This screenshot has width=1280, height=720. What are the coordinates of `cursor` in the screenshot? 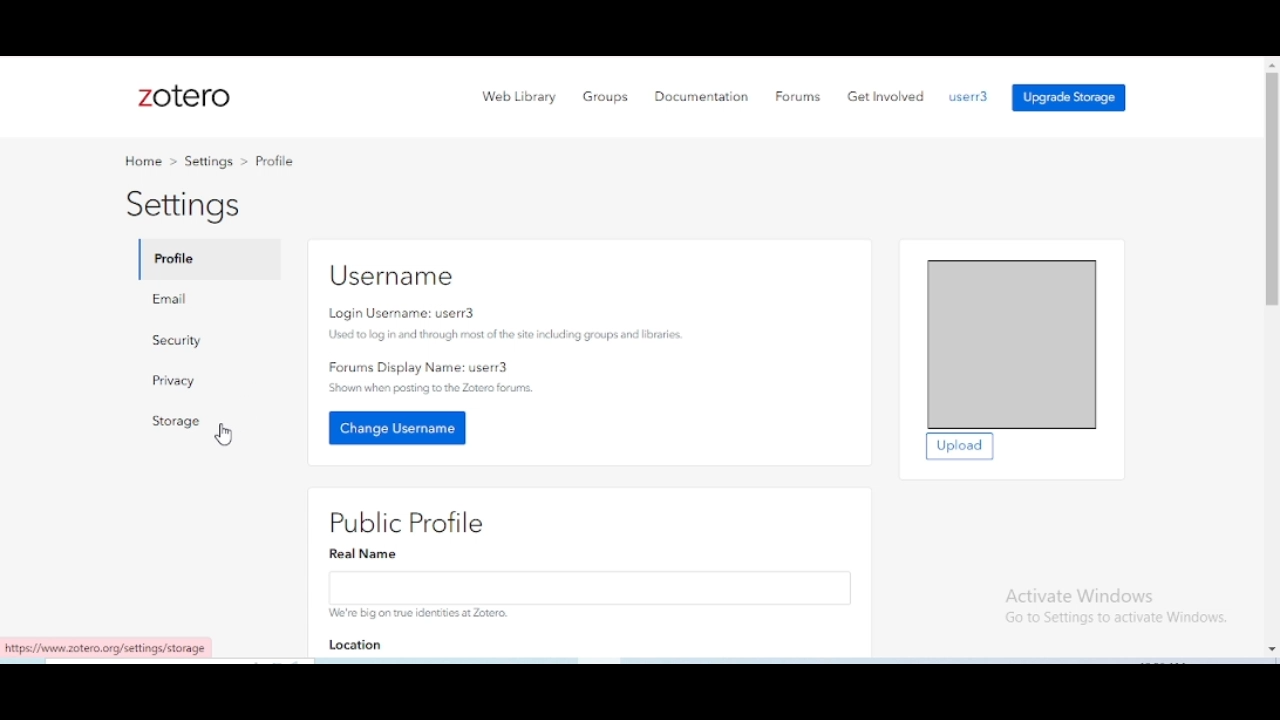 It's located at (224, 435).